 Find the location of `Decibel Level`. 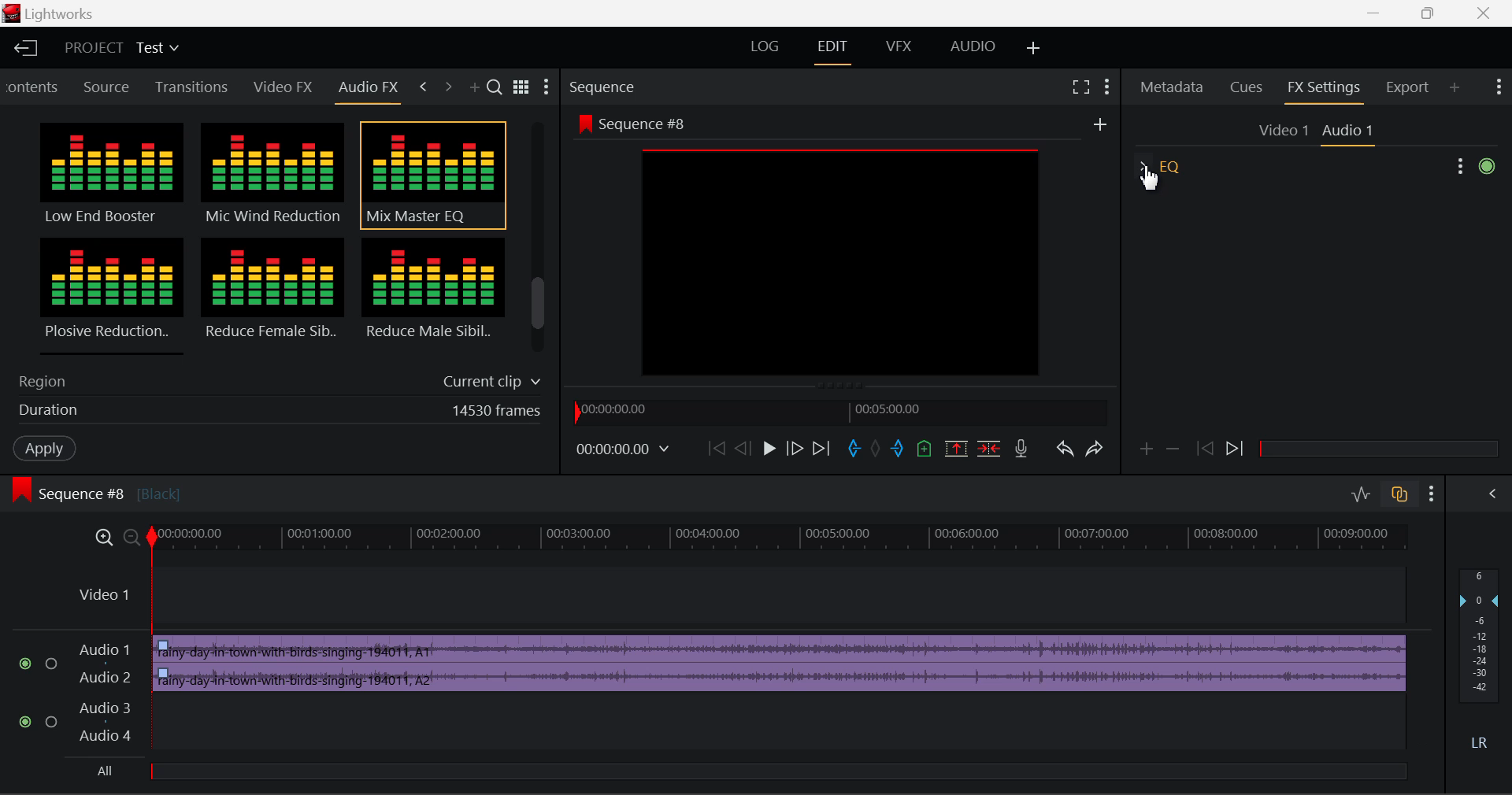

Decibel Level is located at coordinates (1482, 663).